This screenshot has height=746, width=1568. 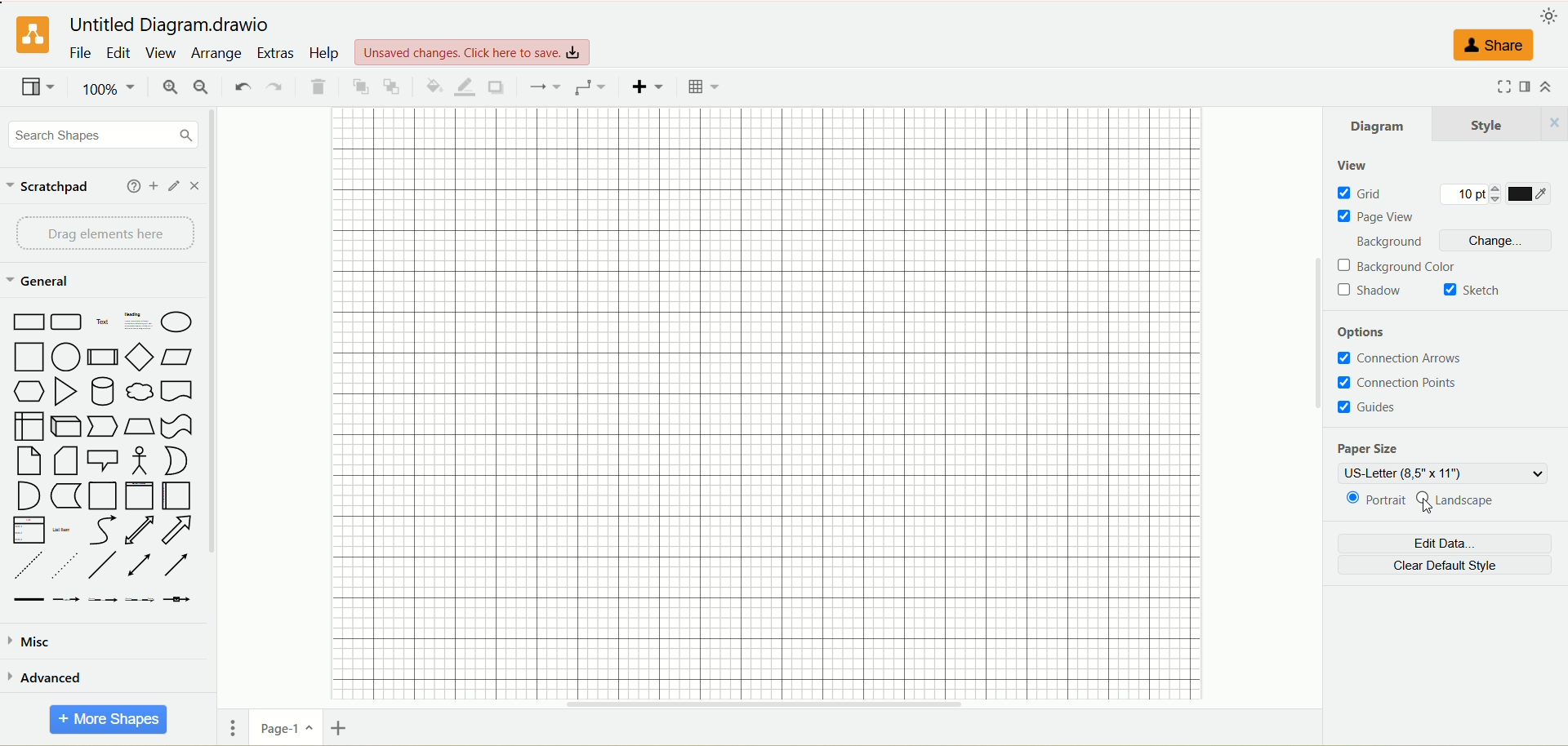 I want to click on file, so click(x=80, y=53).